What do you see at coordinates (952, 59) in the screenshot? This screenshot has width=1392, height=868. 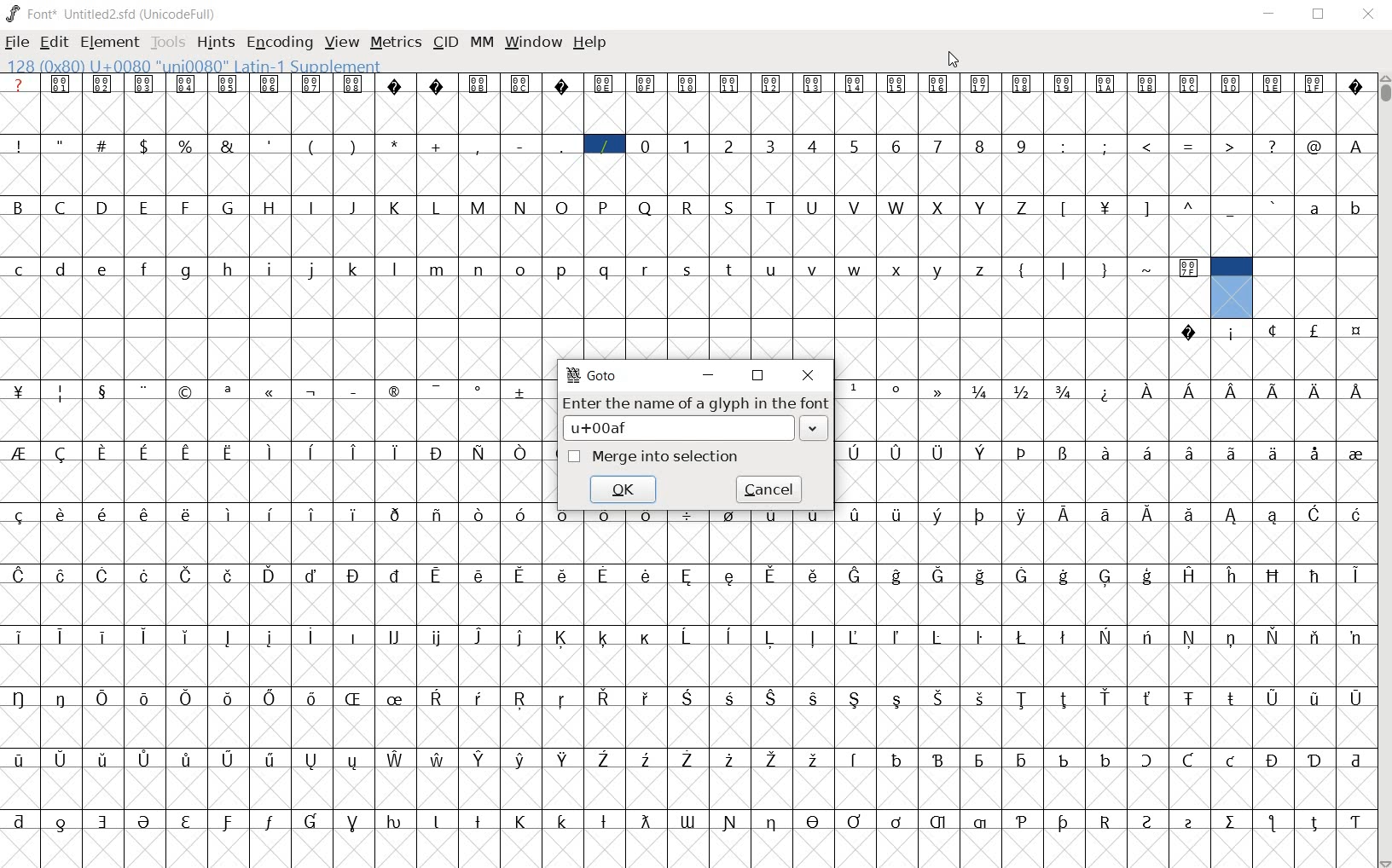 I see `Cursor` at bounding box center [952, 59].